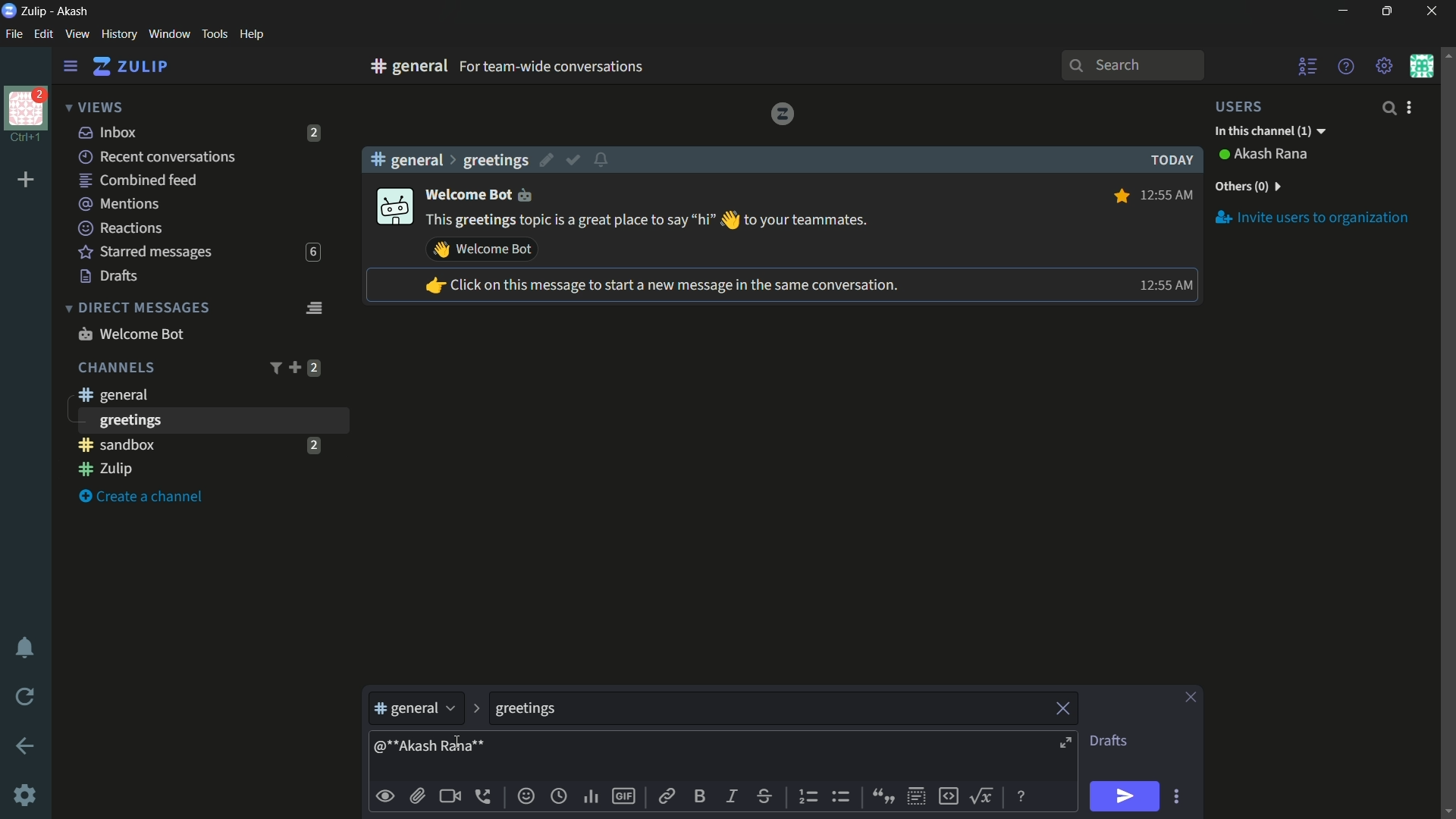  I want to click on send, so click(1123, 797).